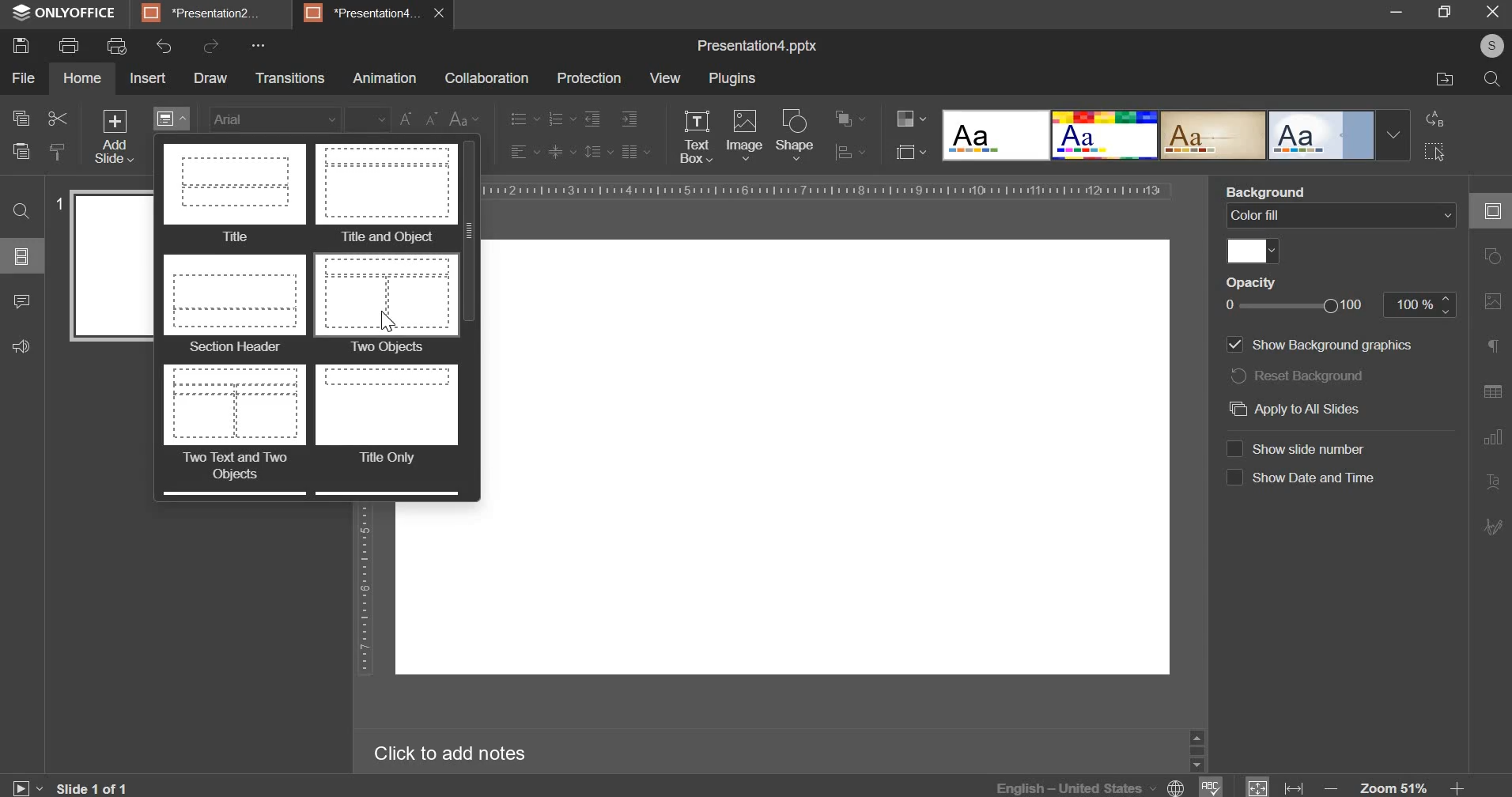 This screenshot has height=797, width=1512. I want to click on design, so click(1215, 136).